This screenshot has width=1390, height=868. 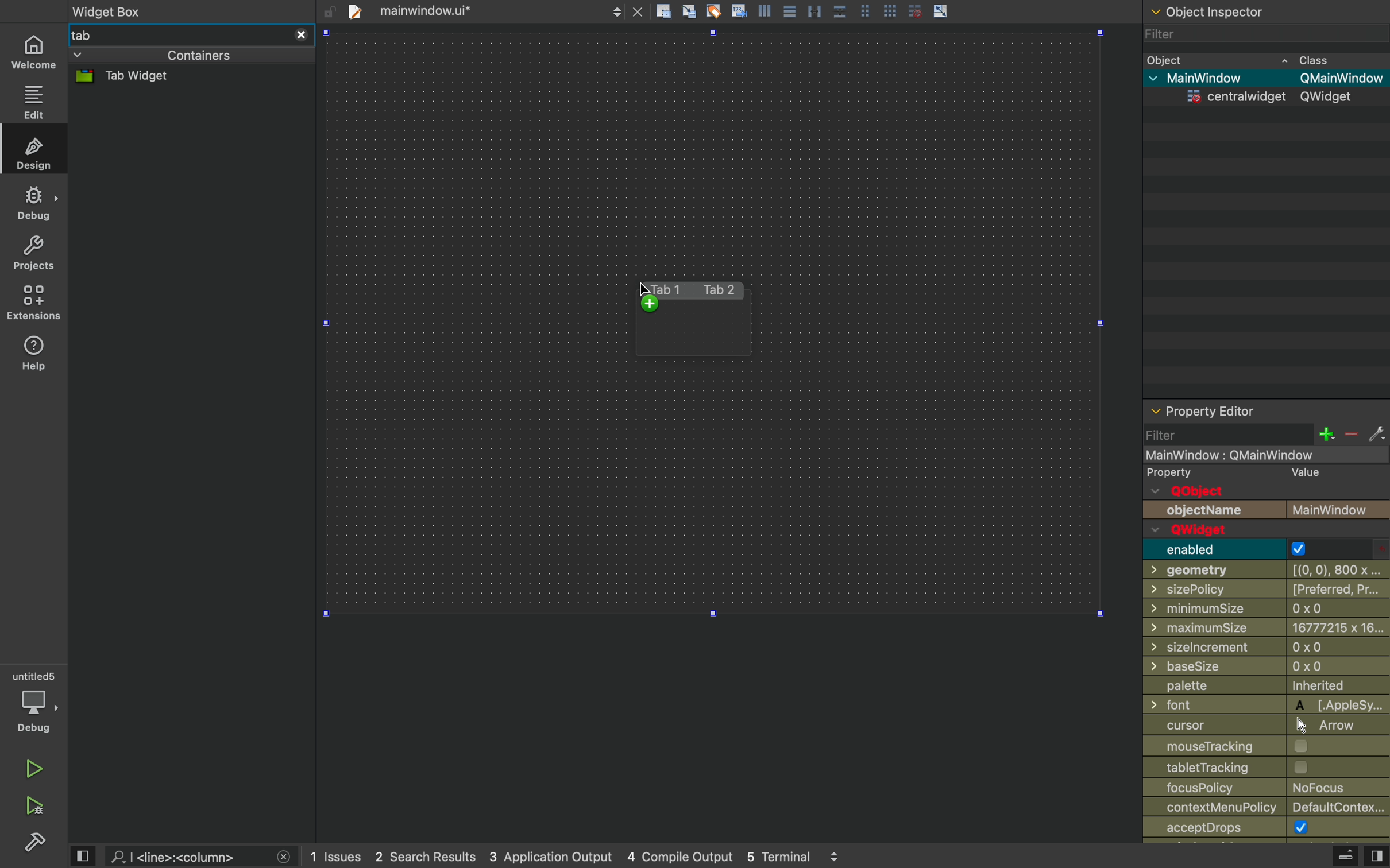 What do you see at coordinates (1253, 34) in the screenshot?
I see `filter` at bounding box center [1253, 34].